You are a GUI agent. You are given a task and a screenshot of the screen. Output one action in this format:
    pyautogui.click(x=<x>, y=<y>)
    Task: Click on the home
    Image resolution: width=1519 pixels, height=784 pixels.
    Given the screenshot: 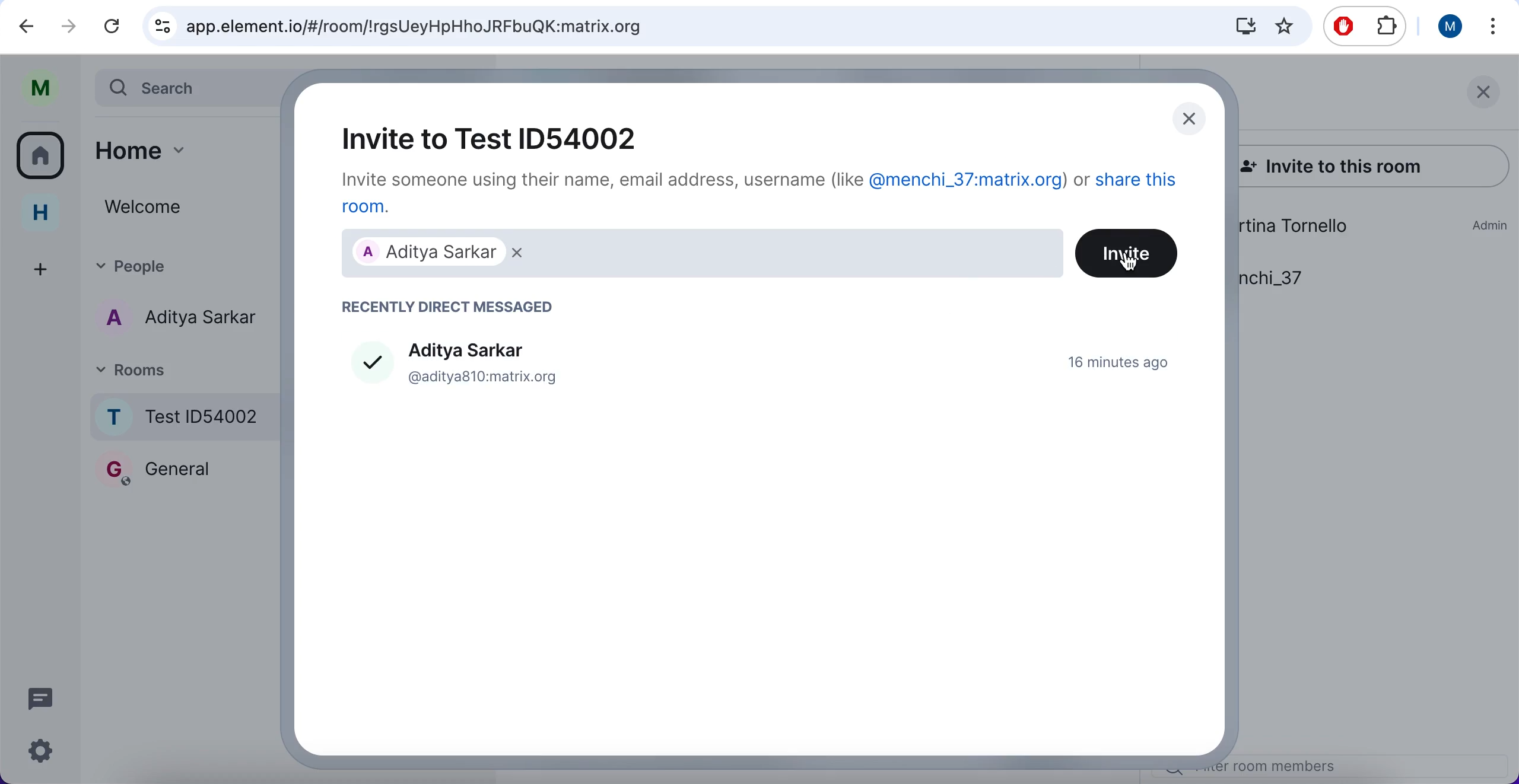 What is the action you would take?
    pyautogui.click(x=41, y=213)
    